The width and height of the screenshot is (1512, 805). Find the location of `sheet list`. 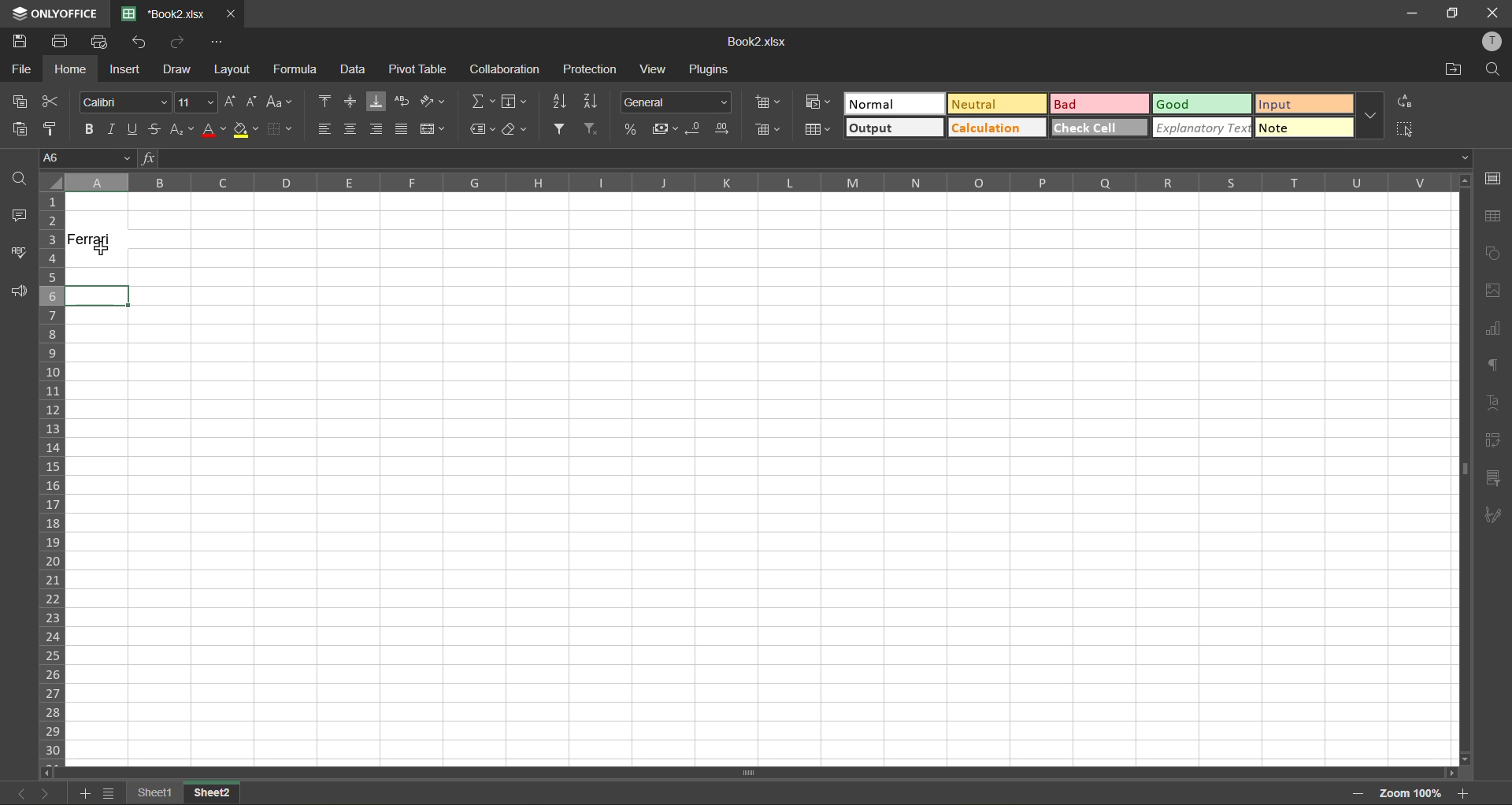

sheet list is located at coordinates (109, 792).